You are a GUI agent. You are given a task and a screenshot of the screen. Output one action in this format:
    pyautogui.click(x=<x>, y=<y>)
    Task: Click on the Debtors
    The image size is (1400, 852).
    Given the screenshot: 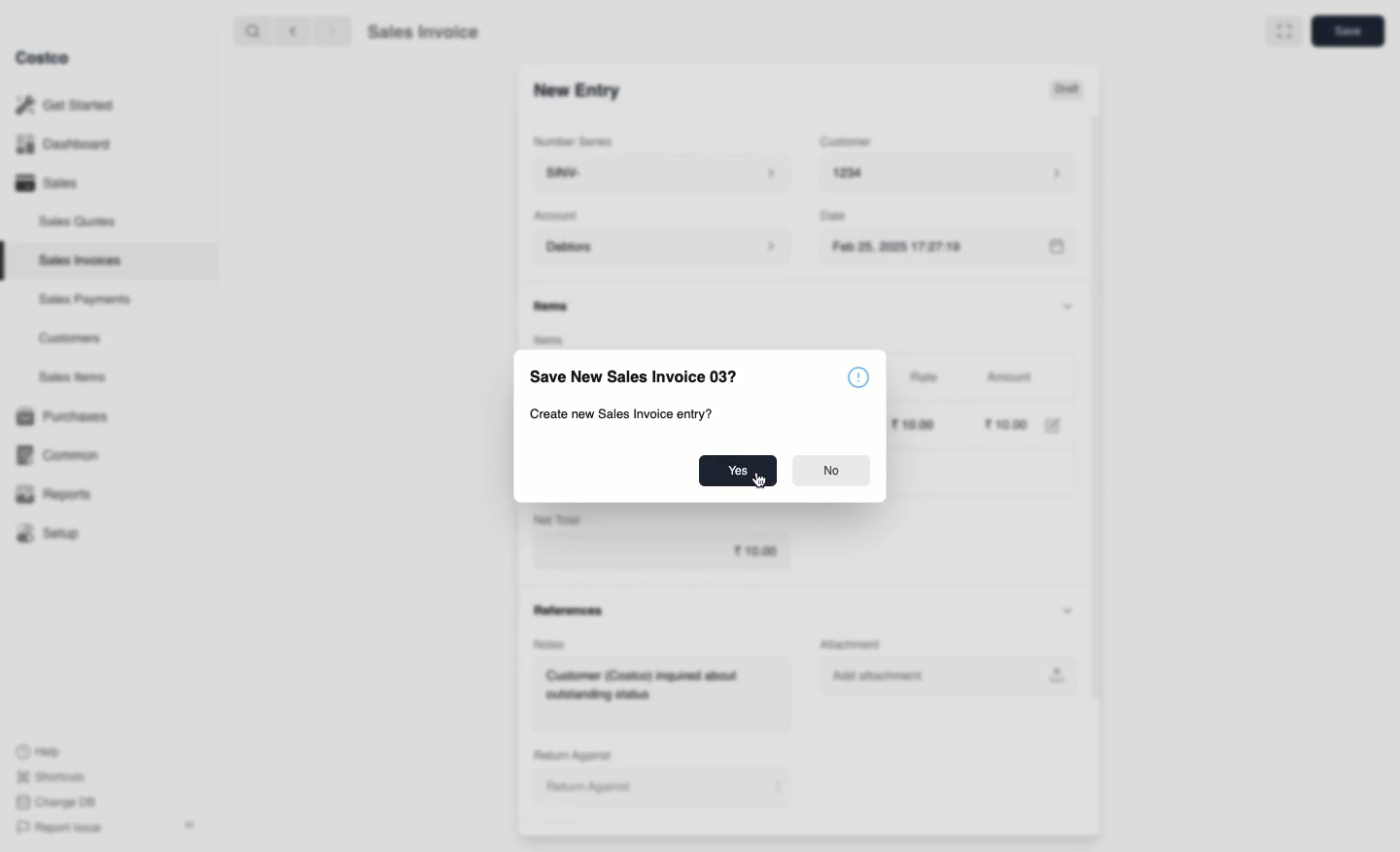 What is the action you would take?
    pyautogui.click(x=662, y=248)
    